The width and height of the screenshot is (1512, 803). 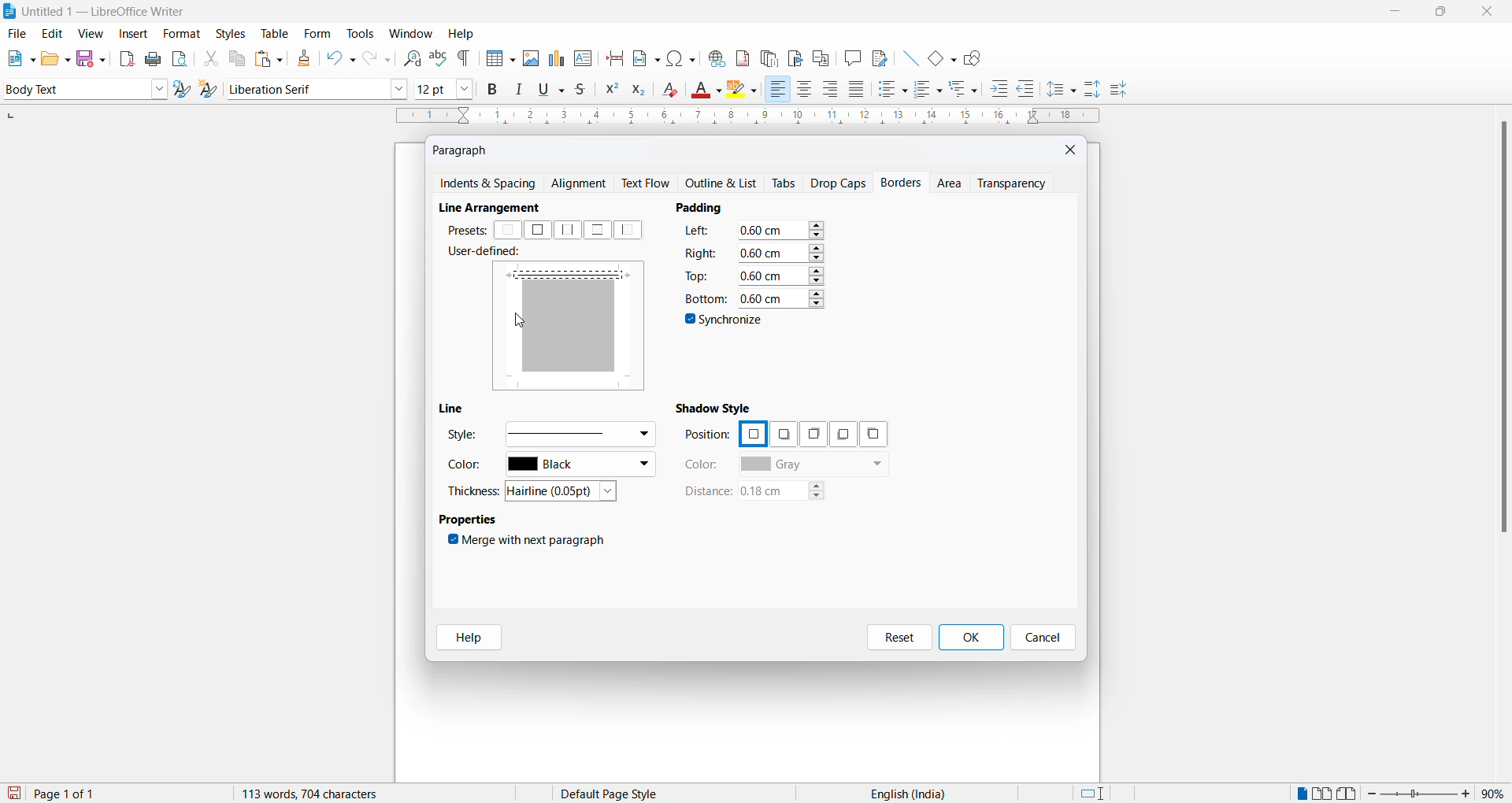 What do you see at coordinates (412, 34) in the screenshot?
I see `window` at bounding box center [412, 34].